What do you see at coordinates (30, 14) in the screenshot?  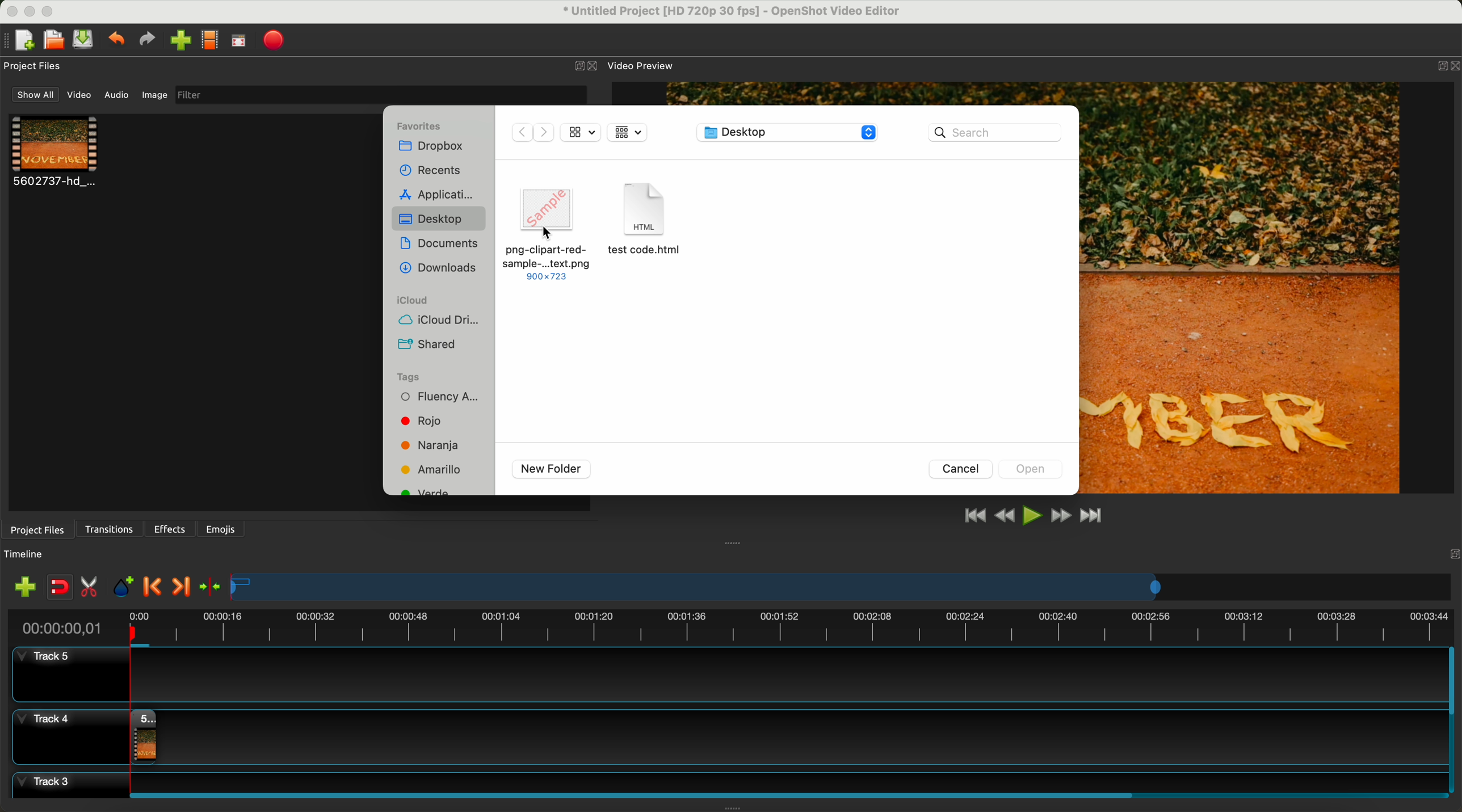 I see `minimize` at bounding box center [30, 14].